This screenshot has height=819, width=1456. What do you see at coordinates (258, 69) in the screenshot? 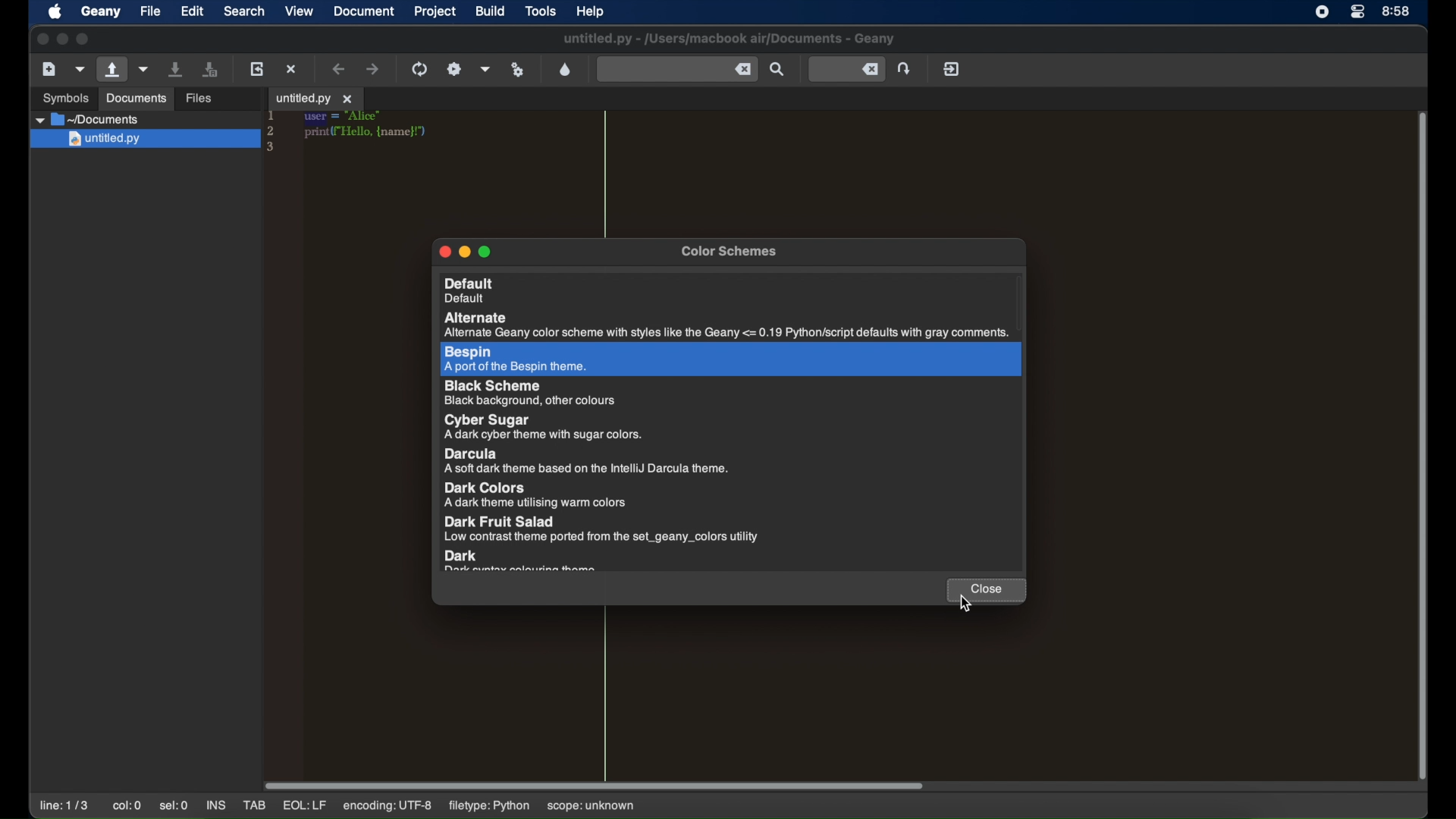
I see `reload the current file from disk` at bounding box center [258, 69].